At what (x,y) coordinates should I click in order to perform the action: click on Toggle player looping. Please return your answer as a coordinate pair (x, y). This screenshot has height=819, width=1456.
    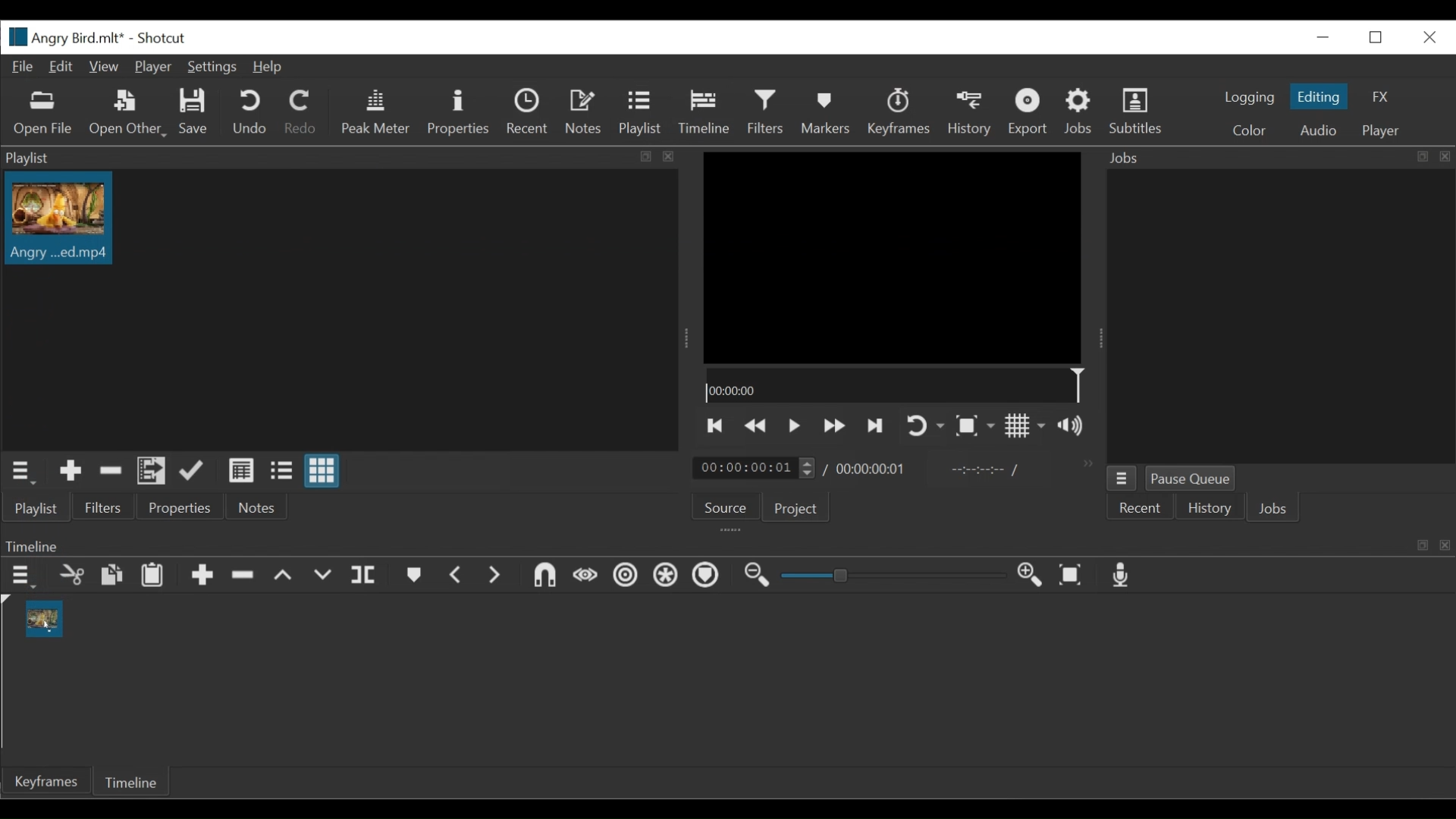
    Looking at the image, I should click on (926, 425).